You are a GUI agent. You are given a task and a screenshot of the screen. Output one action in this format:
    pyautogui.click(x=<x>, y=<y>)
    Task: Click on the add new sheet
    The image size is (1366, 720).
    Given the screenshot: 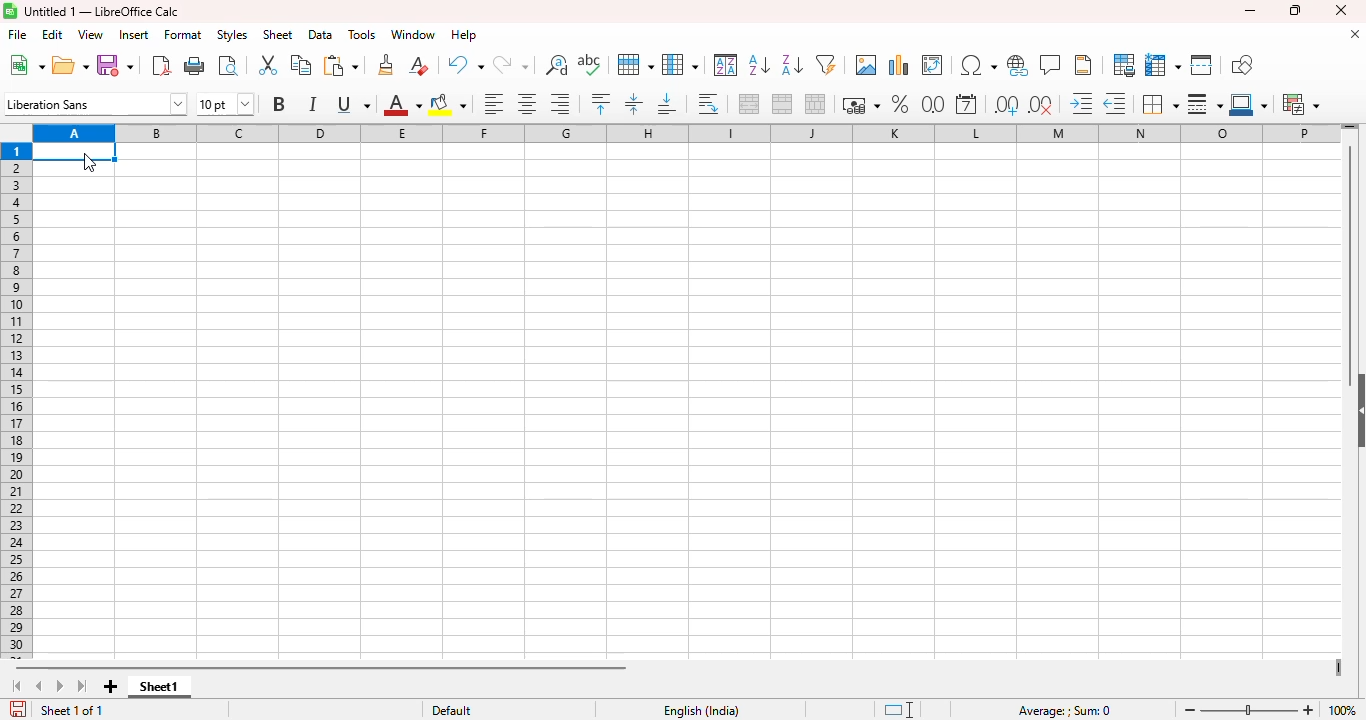 What is the action you would take?
    pyautogui.click(x=111, y=686)
    